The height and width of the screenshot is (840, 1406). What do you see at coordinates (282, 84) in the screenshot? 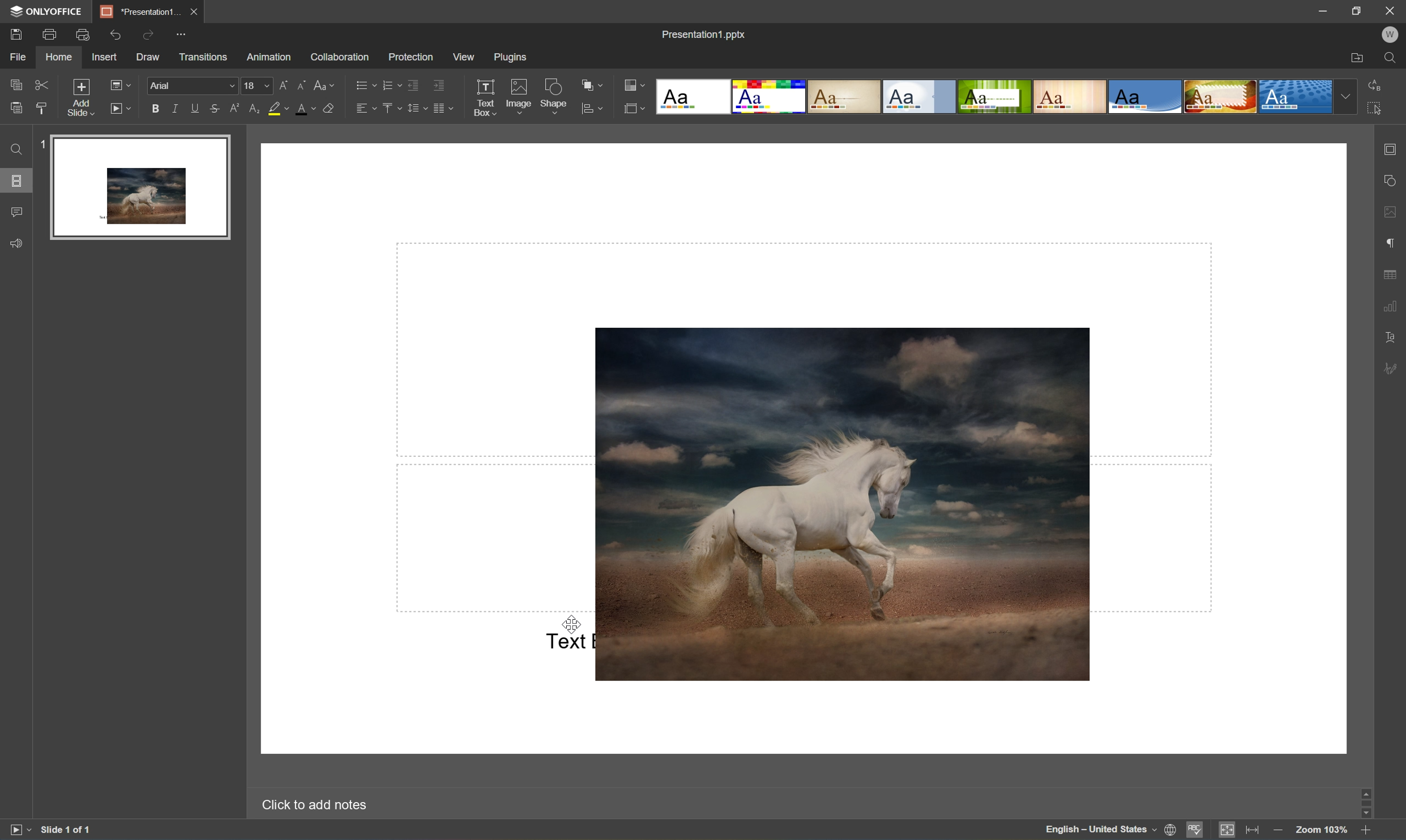
I see `Increment font size` at bounding box center [282, 84].